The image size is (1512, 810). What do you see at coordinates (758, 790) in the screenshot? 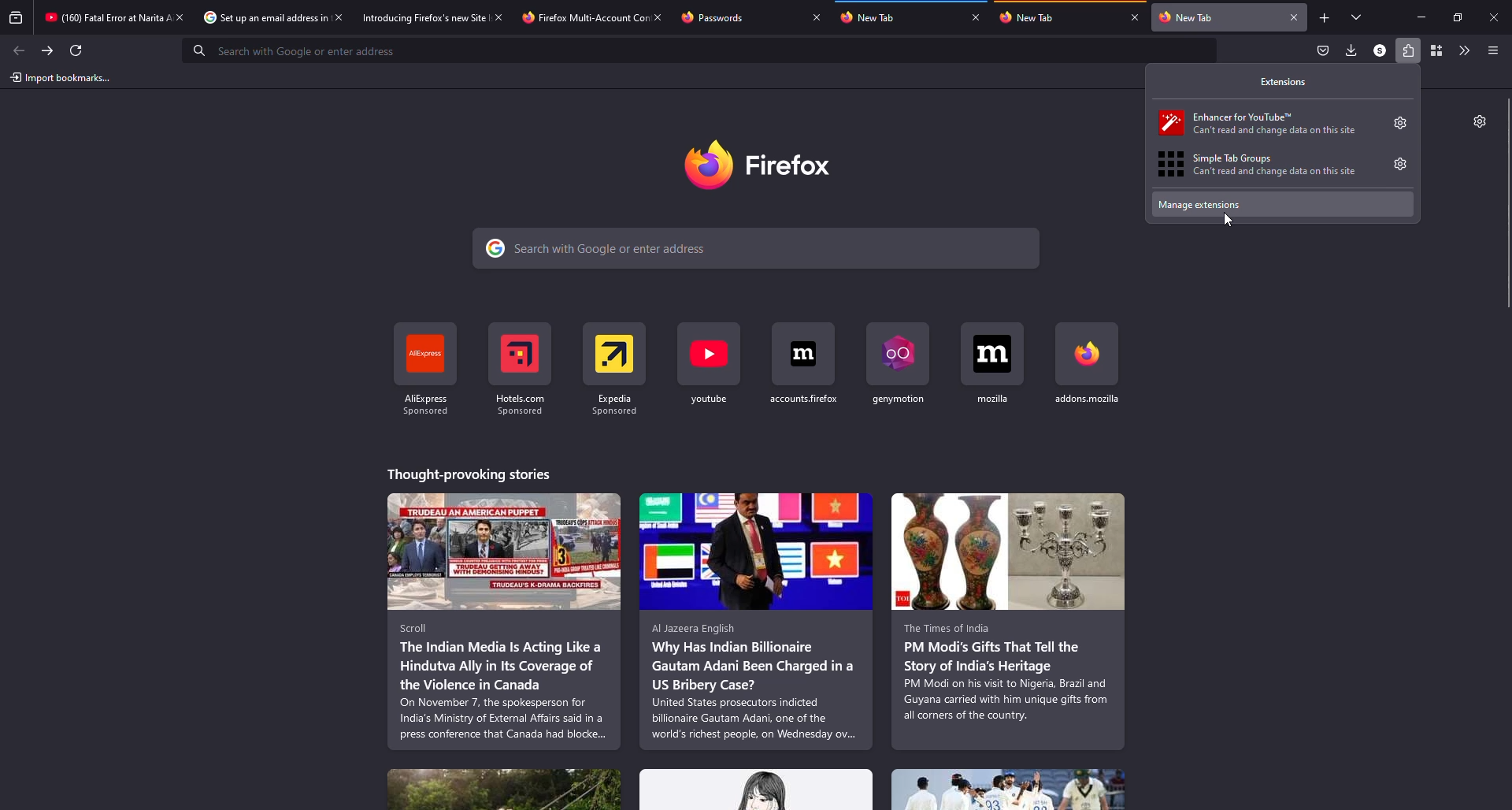
I see `stories` at bounding box center [758, 790].